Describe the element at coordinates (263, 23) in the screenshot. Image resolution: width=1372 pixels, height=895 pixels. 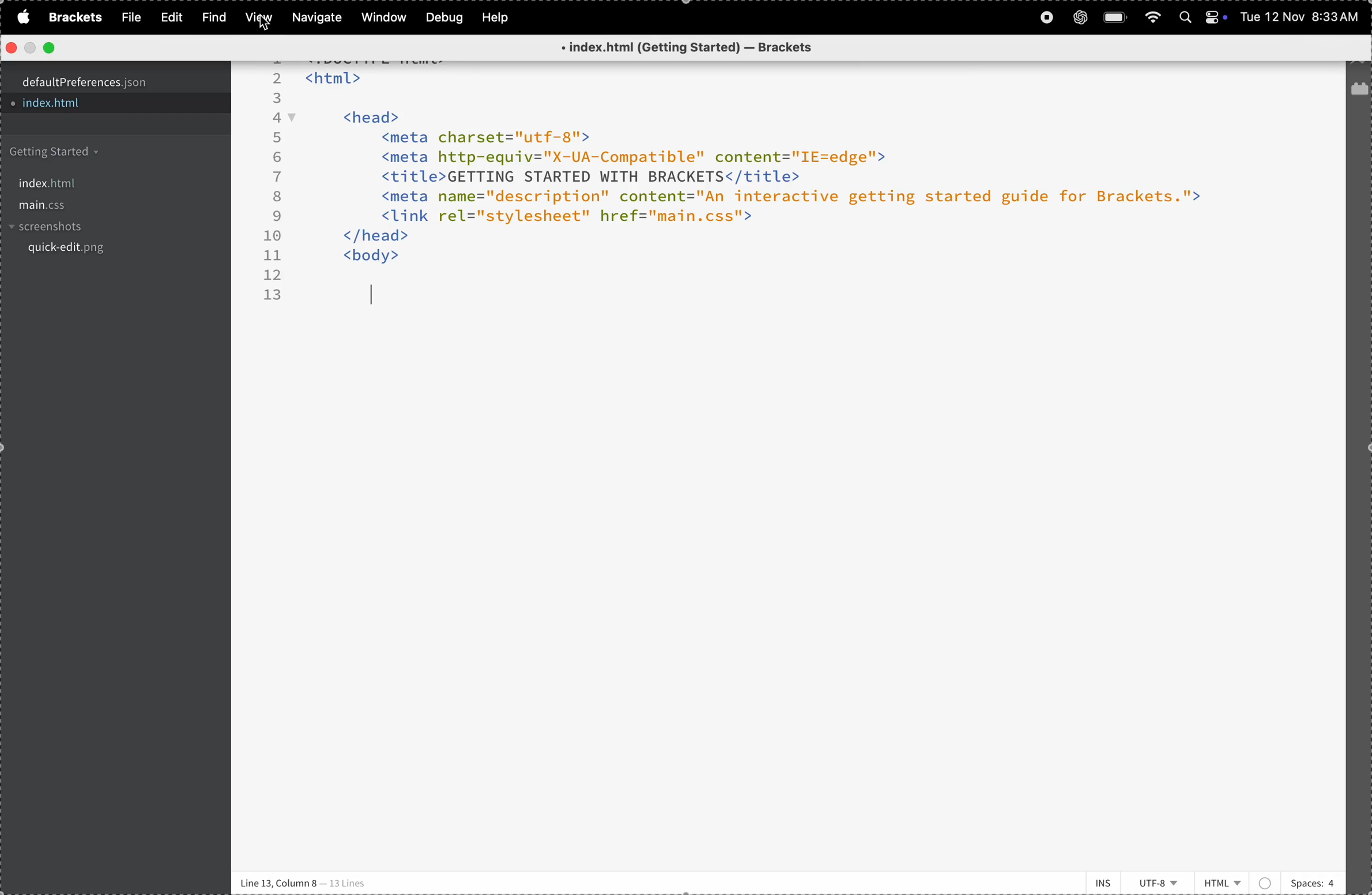
I see `Cursor` at that location.